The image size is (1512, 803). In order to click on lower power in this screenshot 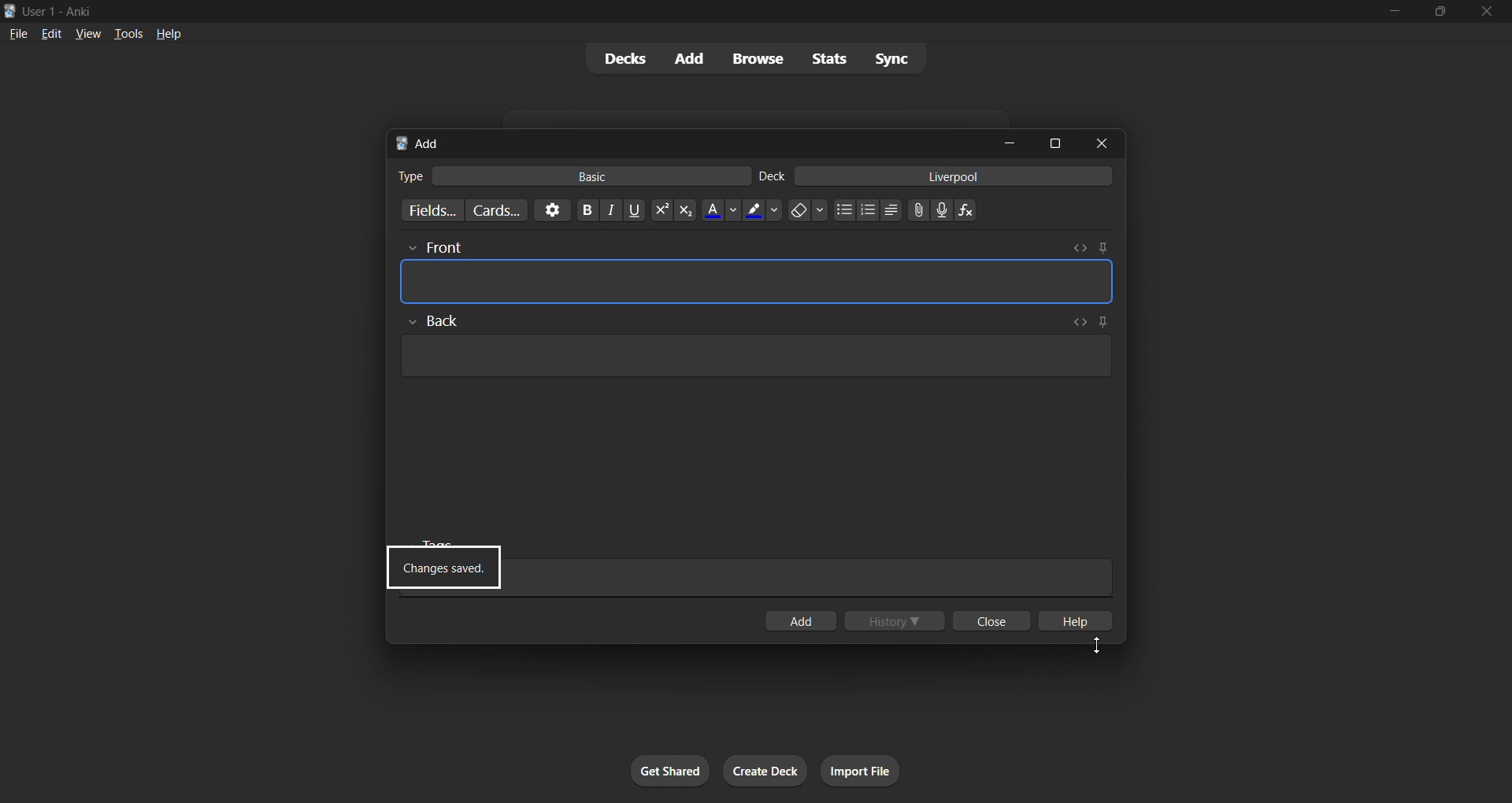, I will do `click(687, 209)`.